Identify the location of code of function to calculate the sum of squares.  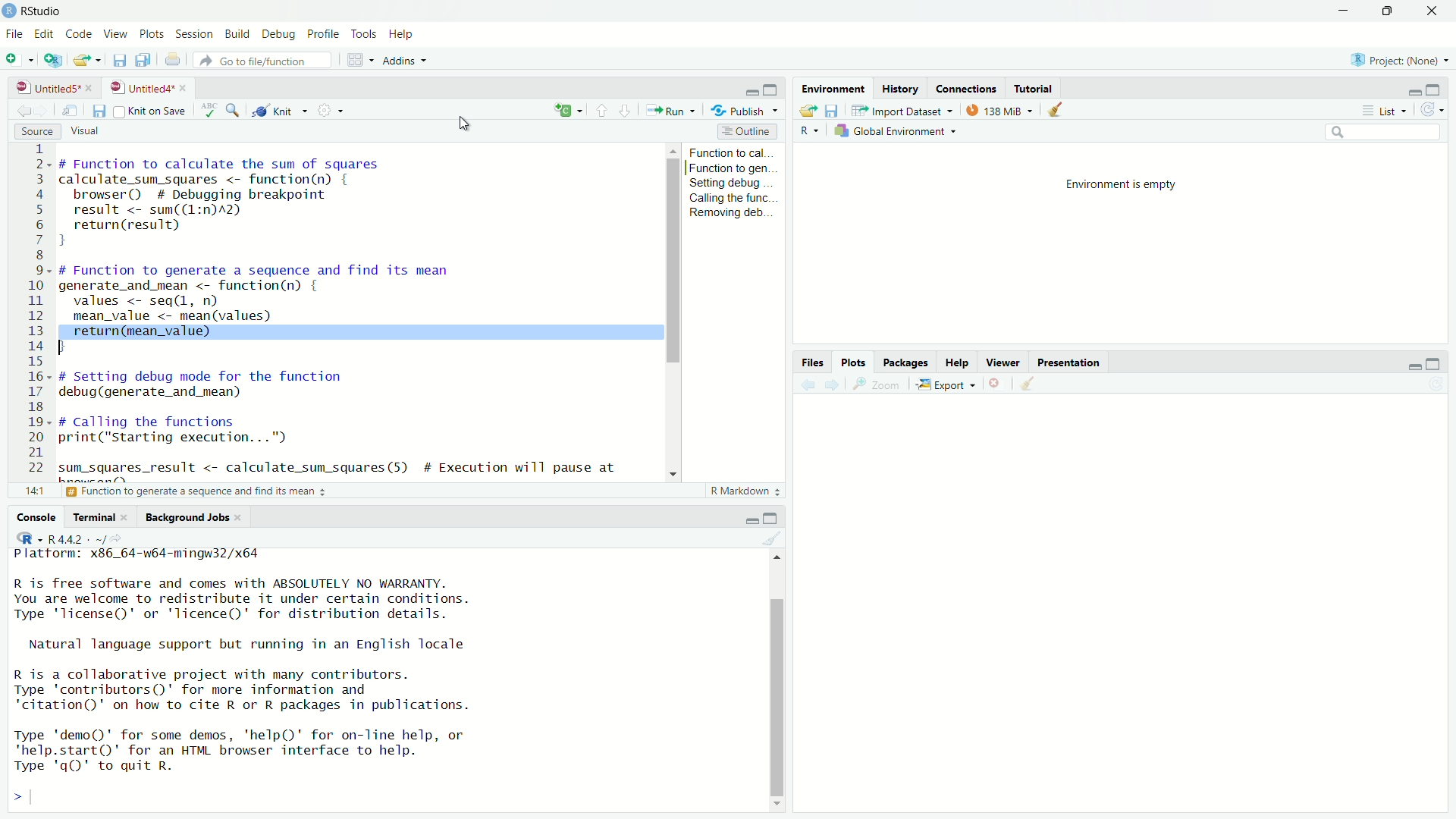
(279, 202).